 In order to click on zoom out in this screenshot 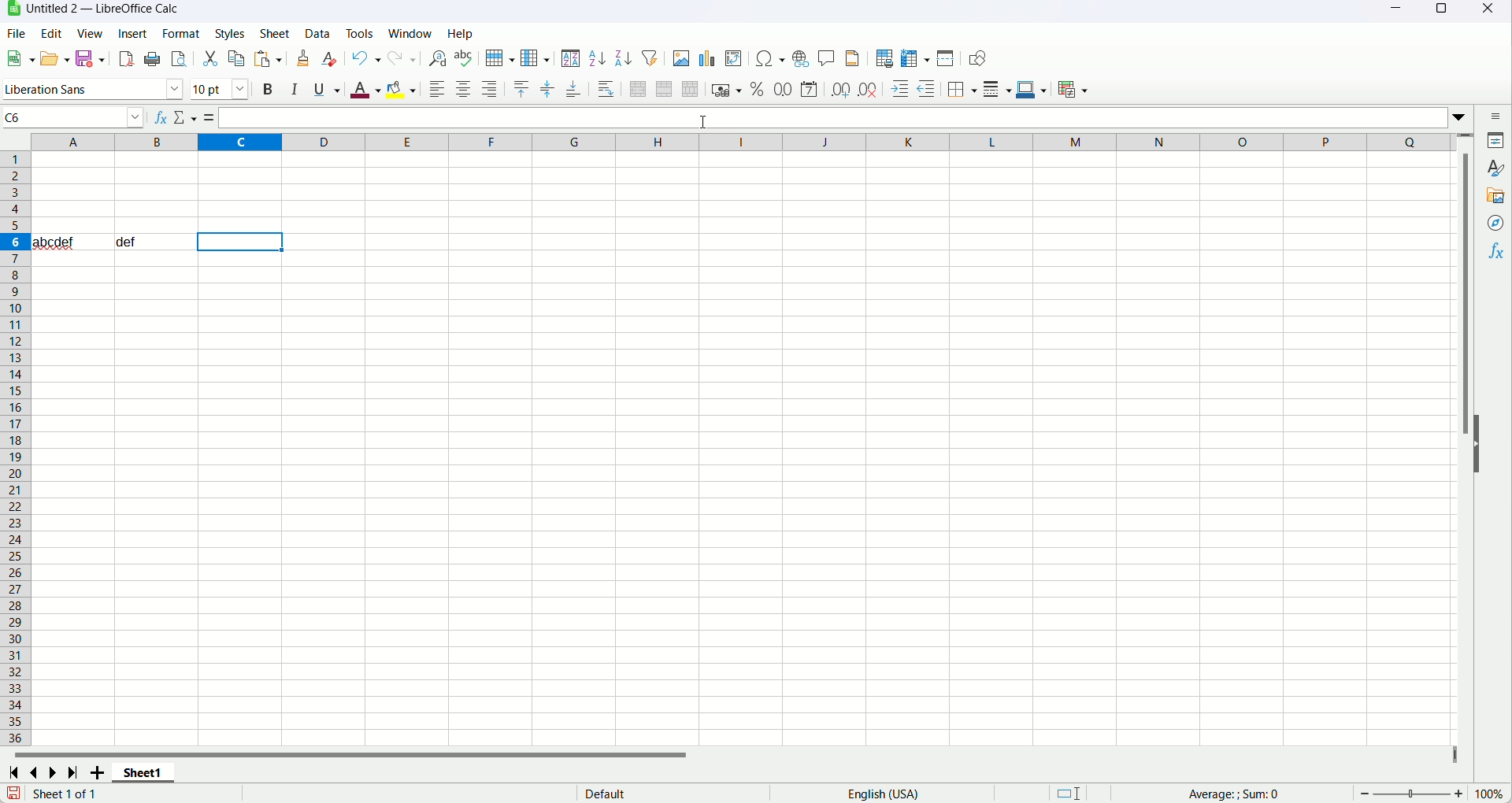, I will do `click(1366, 794)`.